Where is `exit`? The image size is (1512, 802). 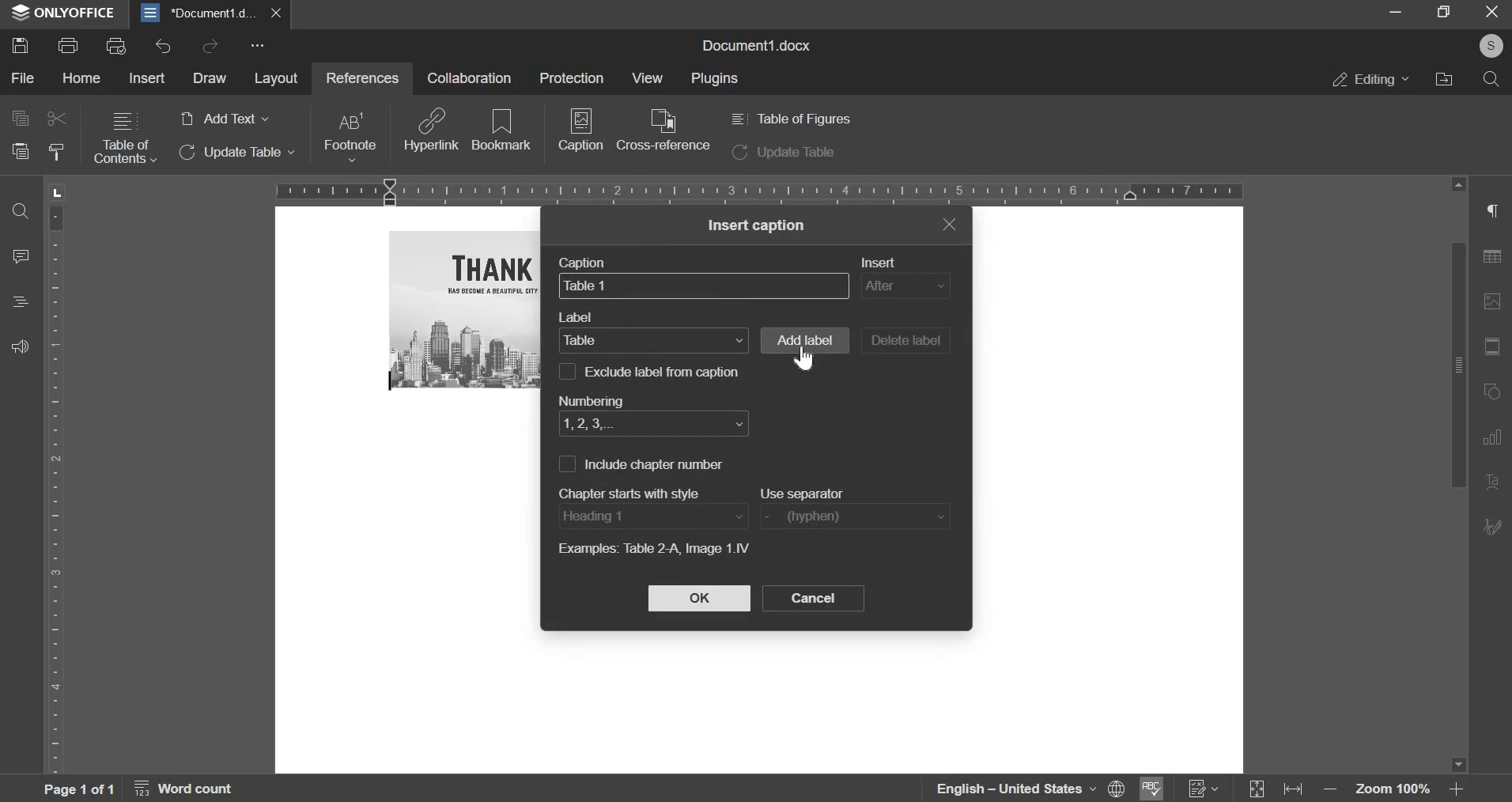 exit is located at coordinates (949, 223).